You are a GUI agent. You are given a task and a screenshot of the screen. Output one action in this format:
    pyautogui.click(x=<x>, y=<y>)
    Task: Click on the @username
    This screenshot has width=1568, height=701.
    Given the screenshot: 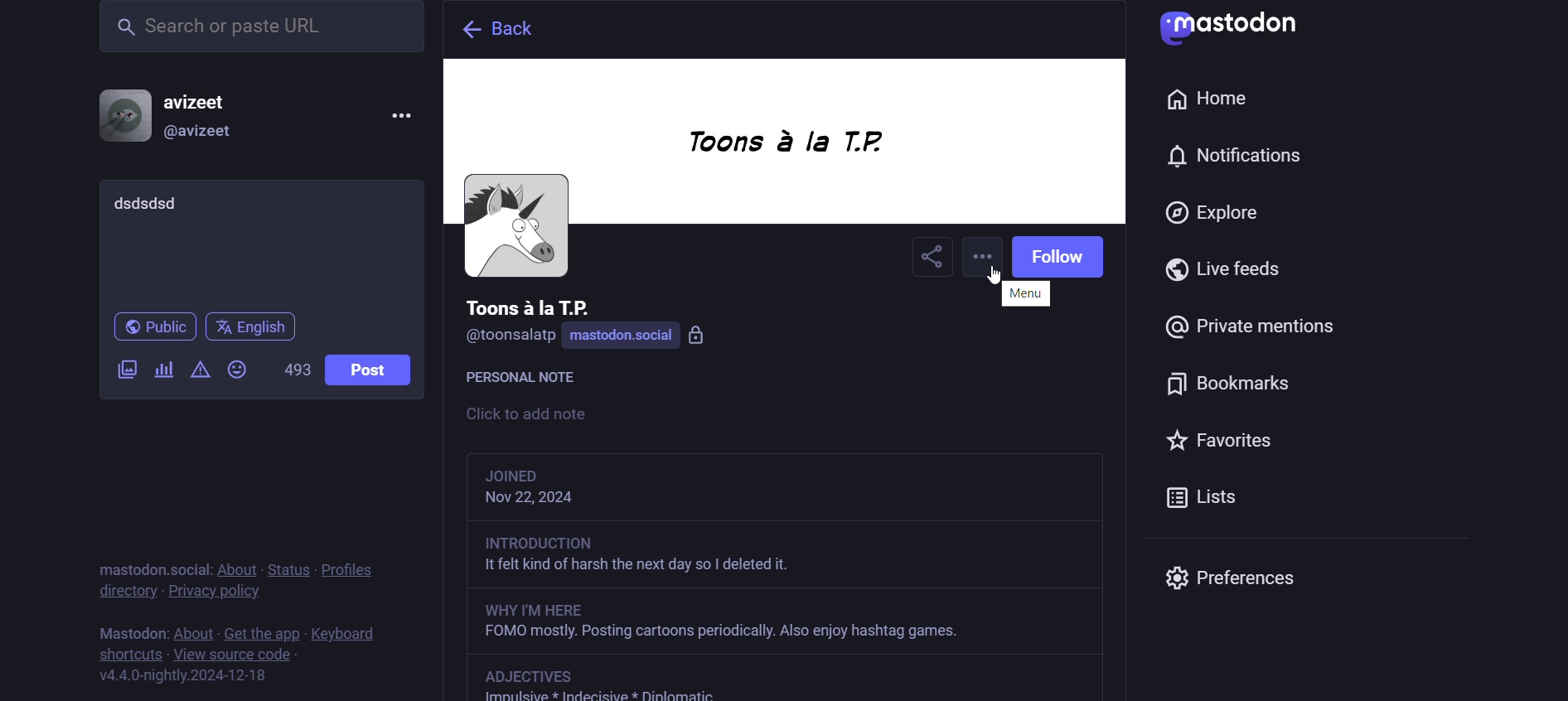 What is the action you would take?
    pyautogui.click(x=510, y=340)
    